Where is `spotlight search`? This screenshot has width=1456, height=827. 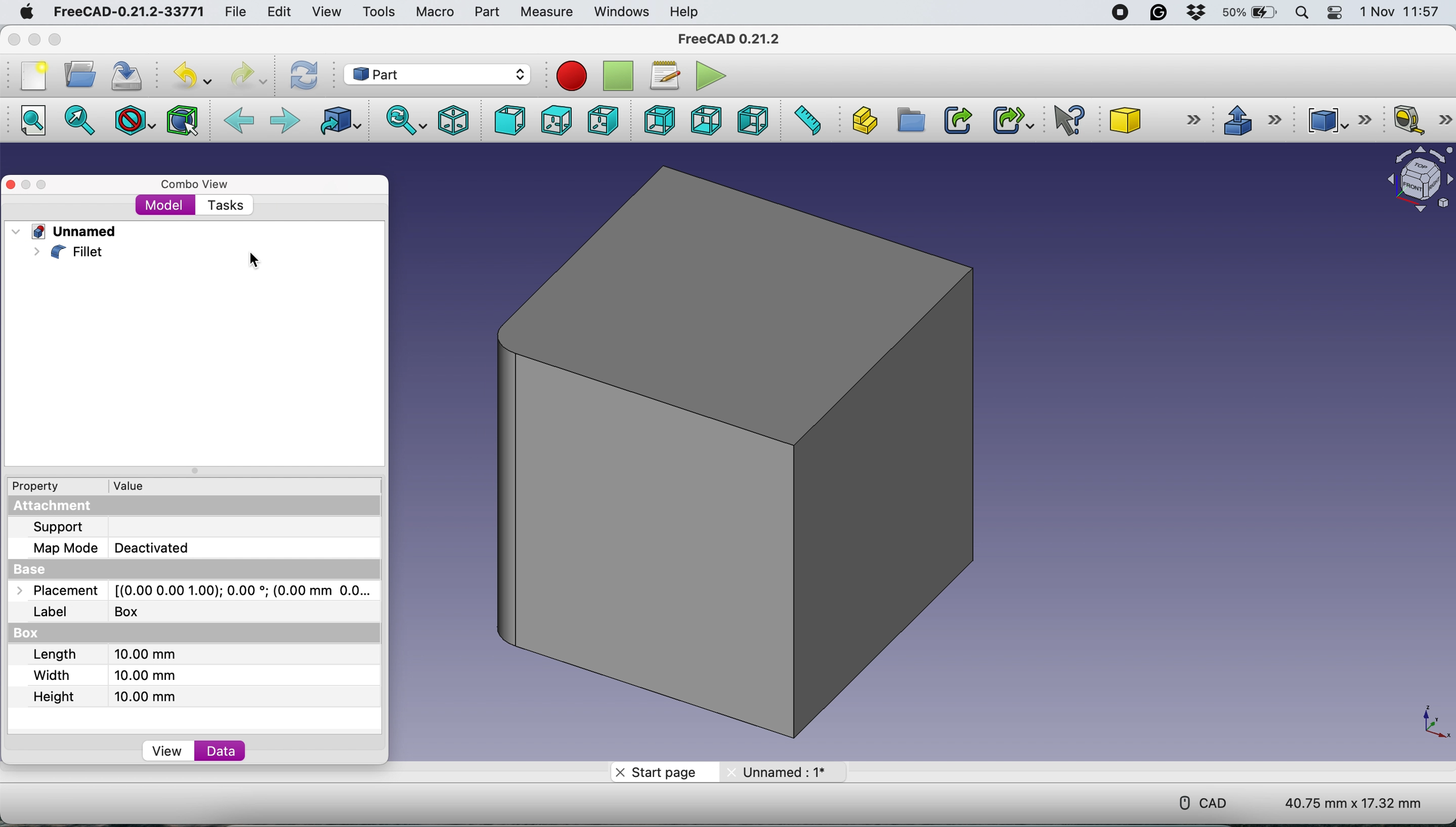
spotlight search is located at coordinates (1301, 14).